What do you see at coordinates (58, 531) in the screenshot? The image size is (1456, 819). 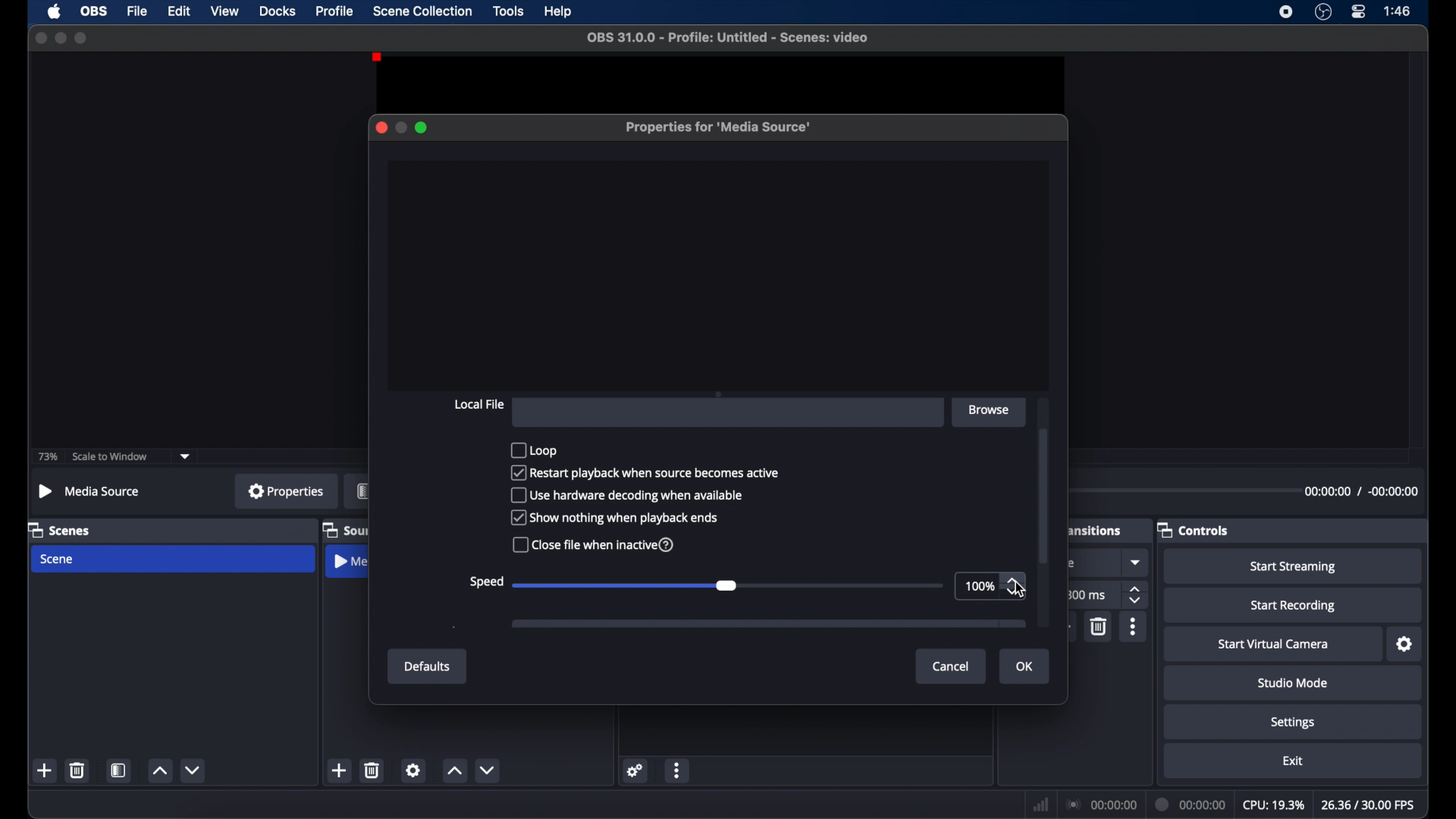 I see `scenes` at bounding box center [58, 531].